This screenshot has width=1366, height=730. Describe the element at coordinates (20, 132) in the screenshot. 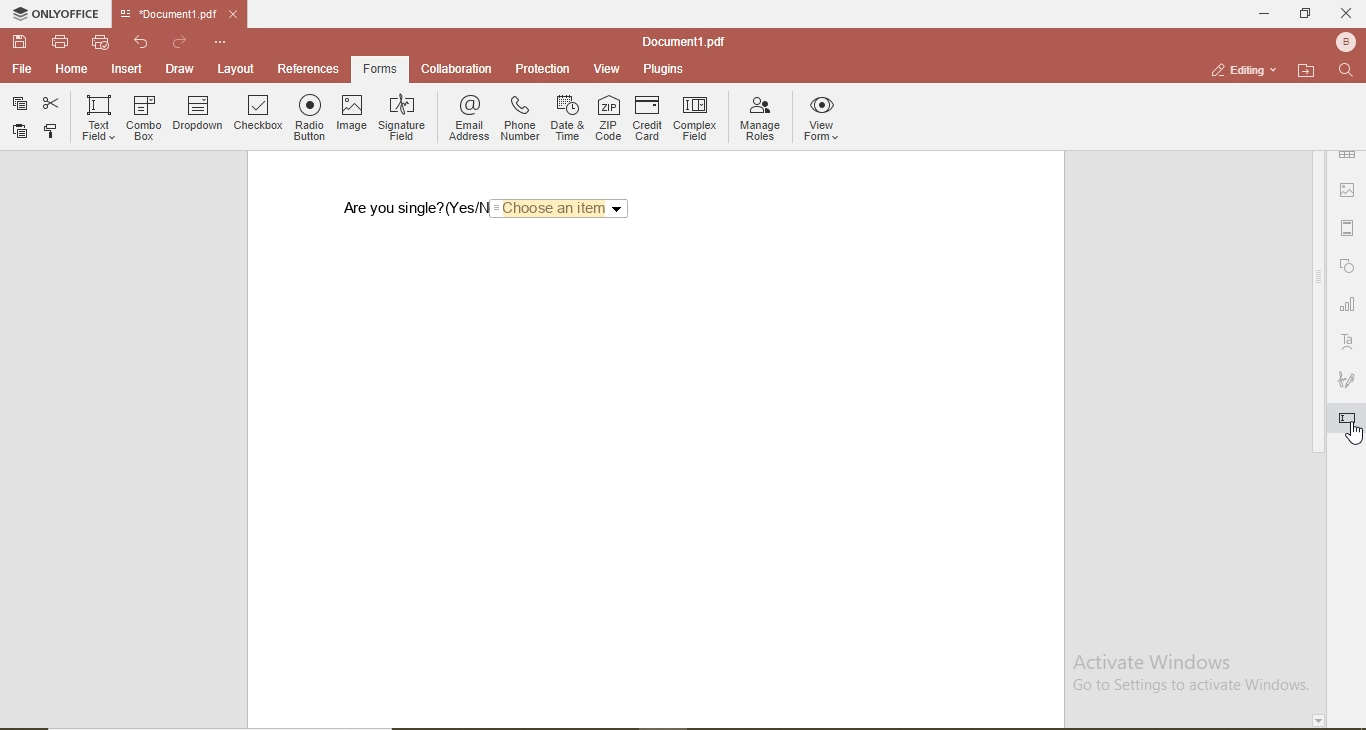

I see `paste` at that location.